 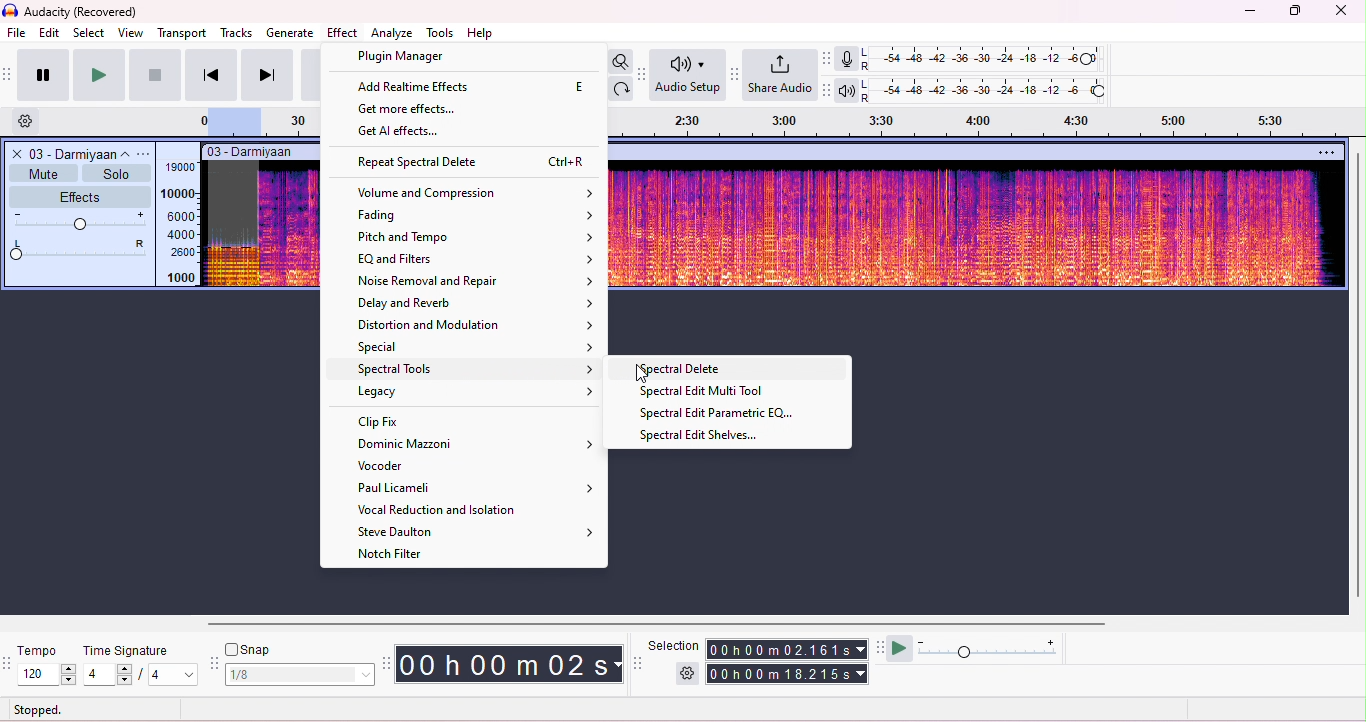 What do you see at coordinates (181, 224) in the screenshot?
I see `frequency` at bounding box center [181, 224].